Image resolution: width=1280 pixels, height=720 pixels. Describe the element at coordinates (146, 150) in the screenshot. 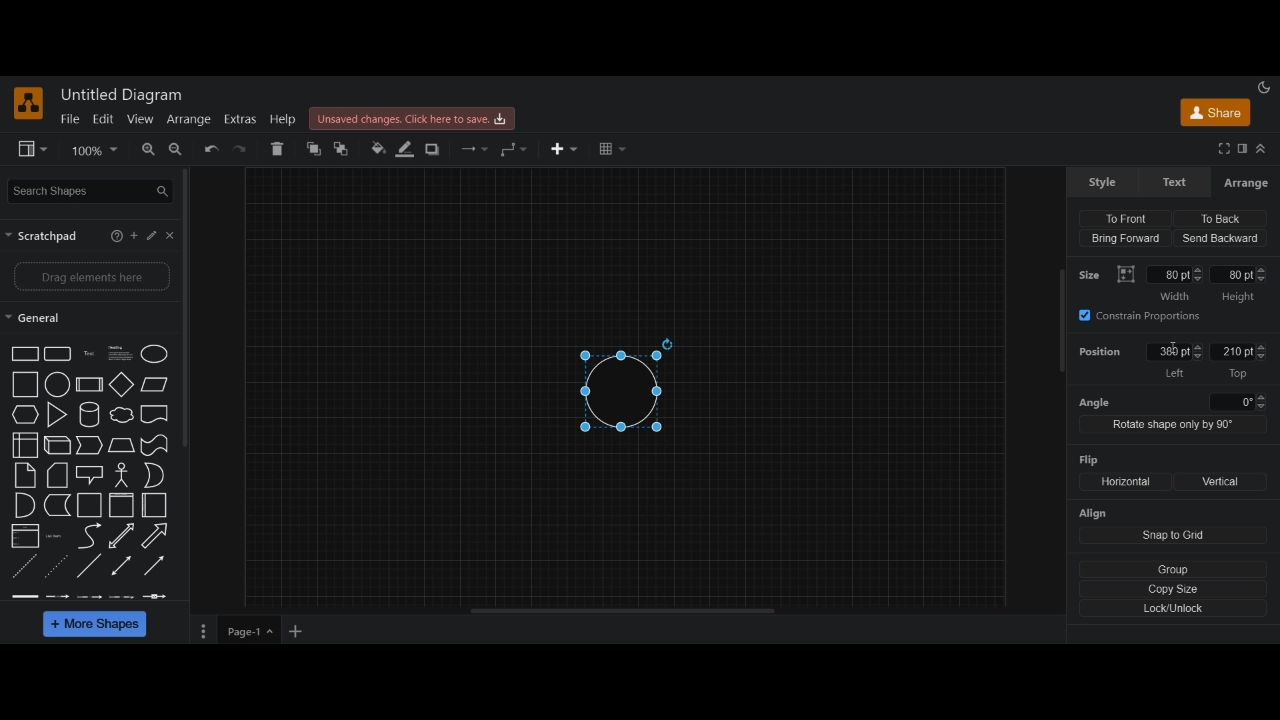

I see `zoom in` at that location.